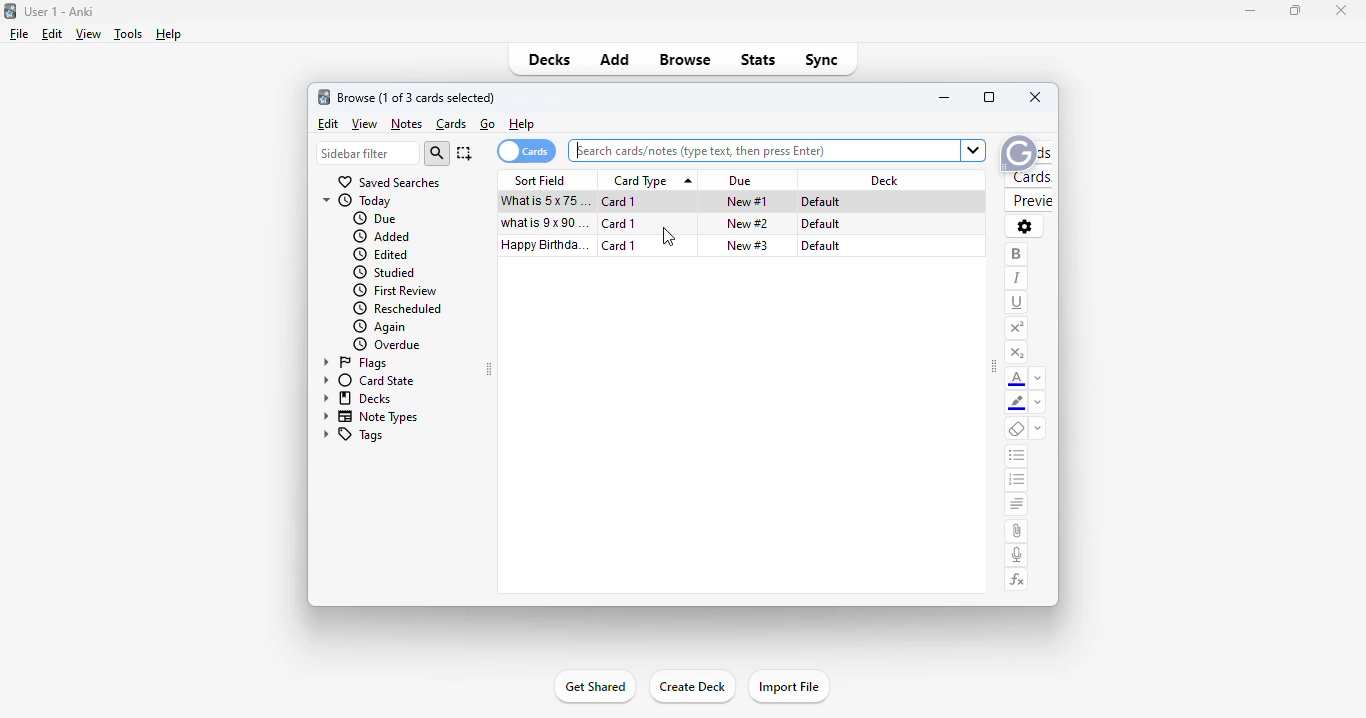  I want to click on stats, so click(758, 60).